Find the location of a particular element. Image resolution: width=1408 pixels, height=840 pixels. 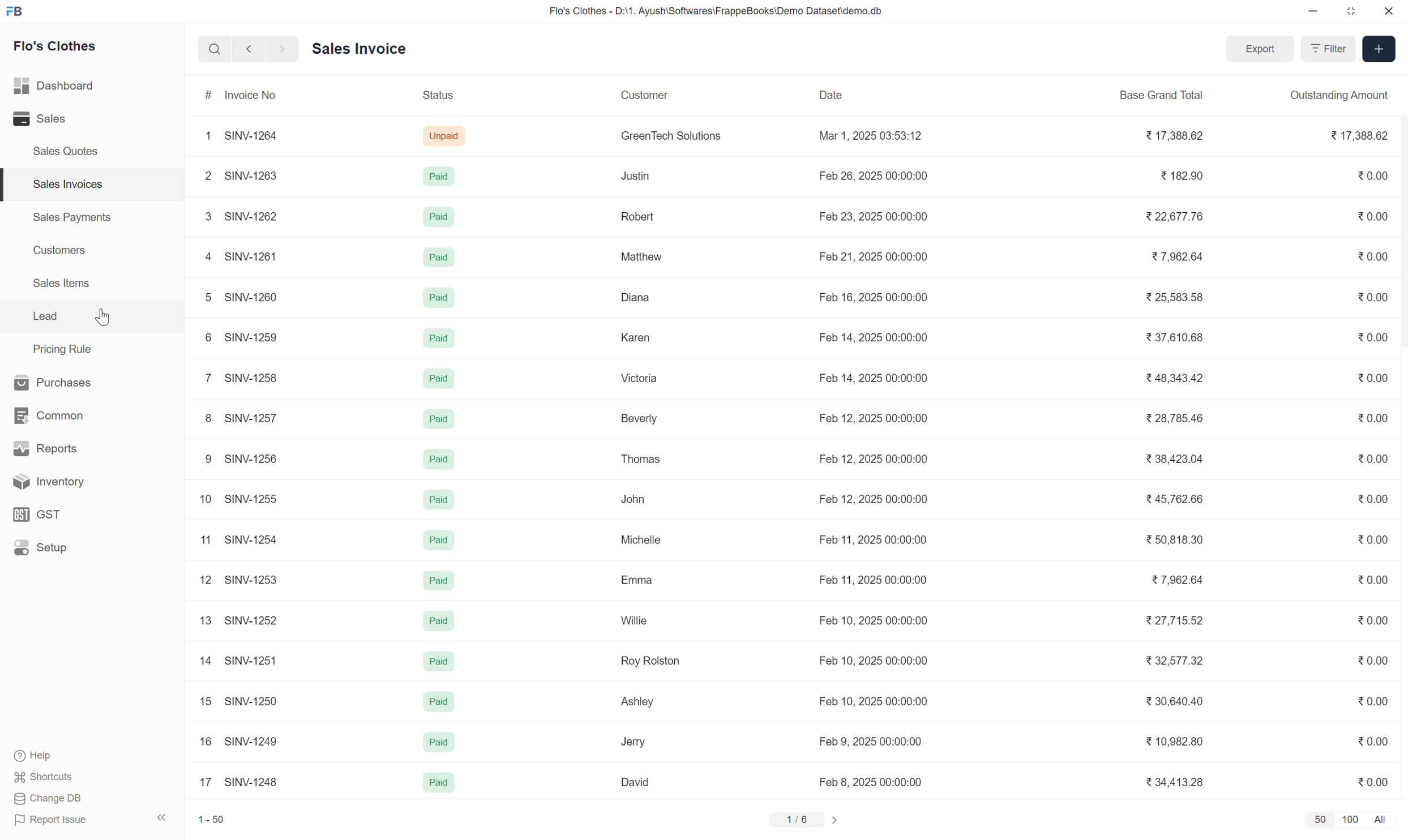

close is located at coordinates (1387, 11).